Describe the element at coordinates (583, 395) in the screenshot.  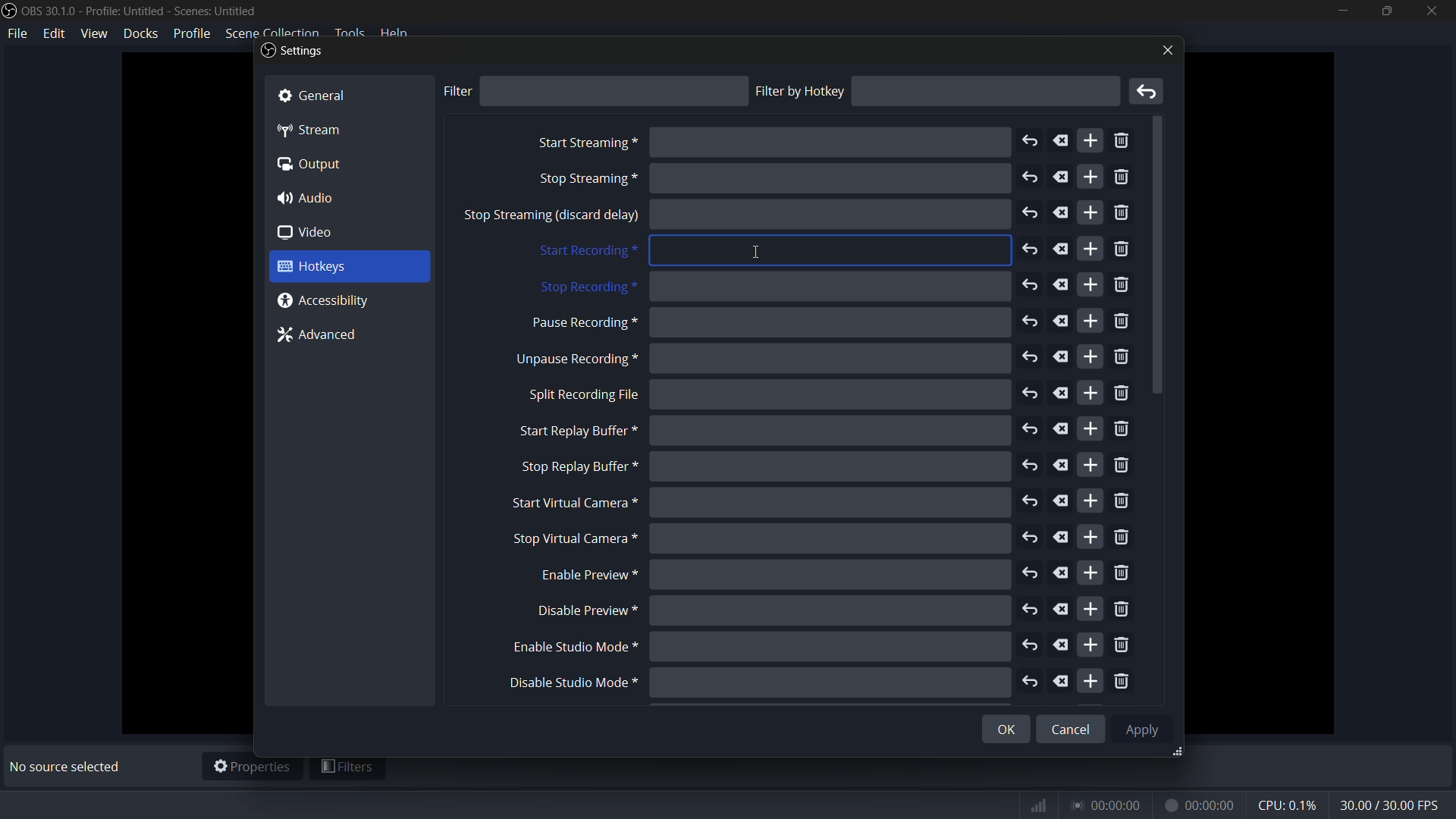
I see `split recording file` at that location.